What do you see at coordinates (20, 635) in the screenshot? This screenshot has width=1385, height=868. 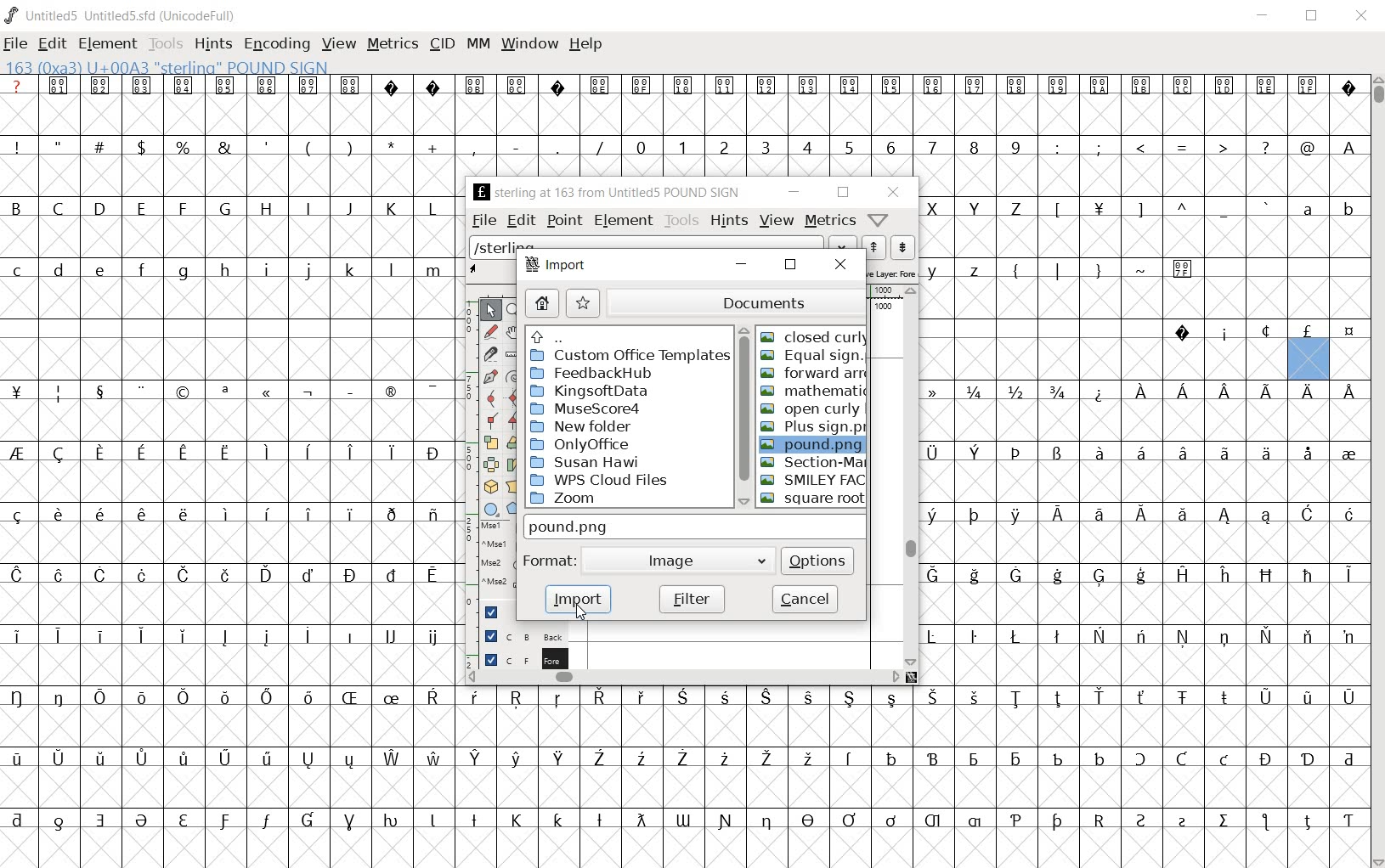 I see `Symbol` at bounding box center [20, 635].